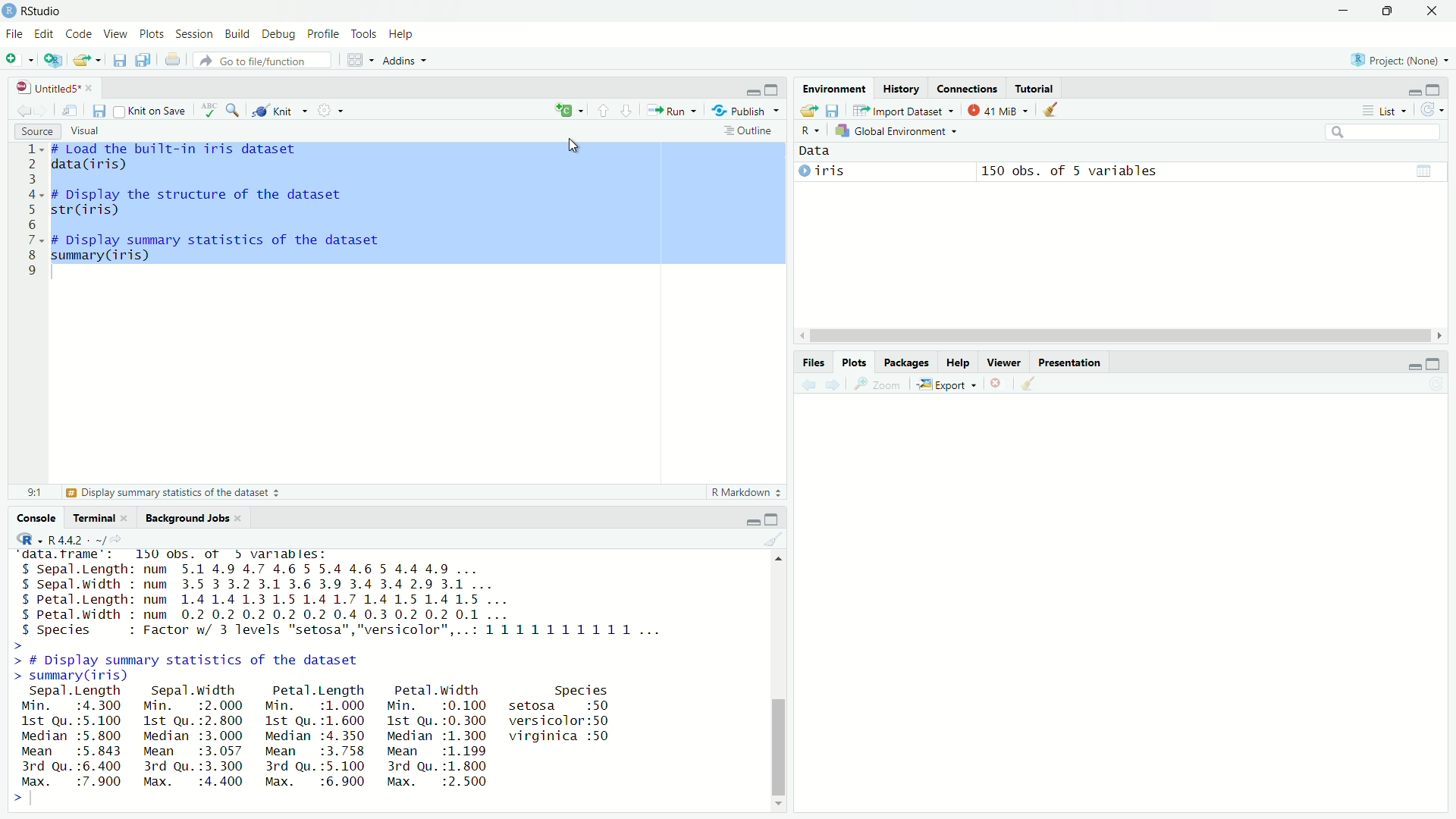 The image size is (1456, 819). What do you see at coordinates (19, 59) in the screenshot?
I see `Open new file` at bounding box center [19, 59].